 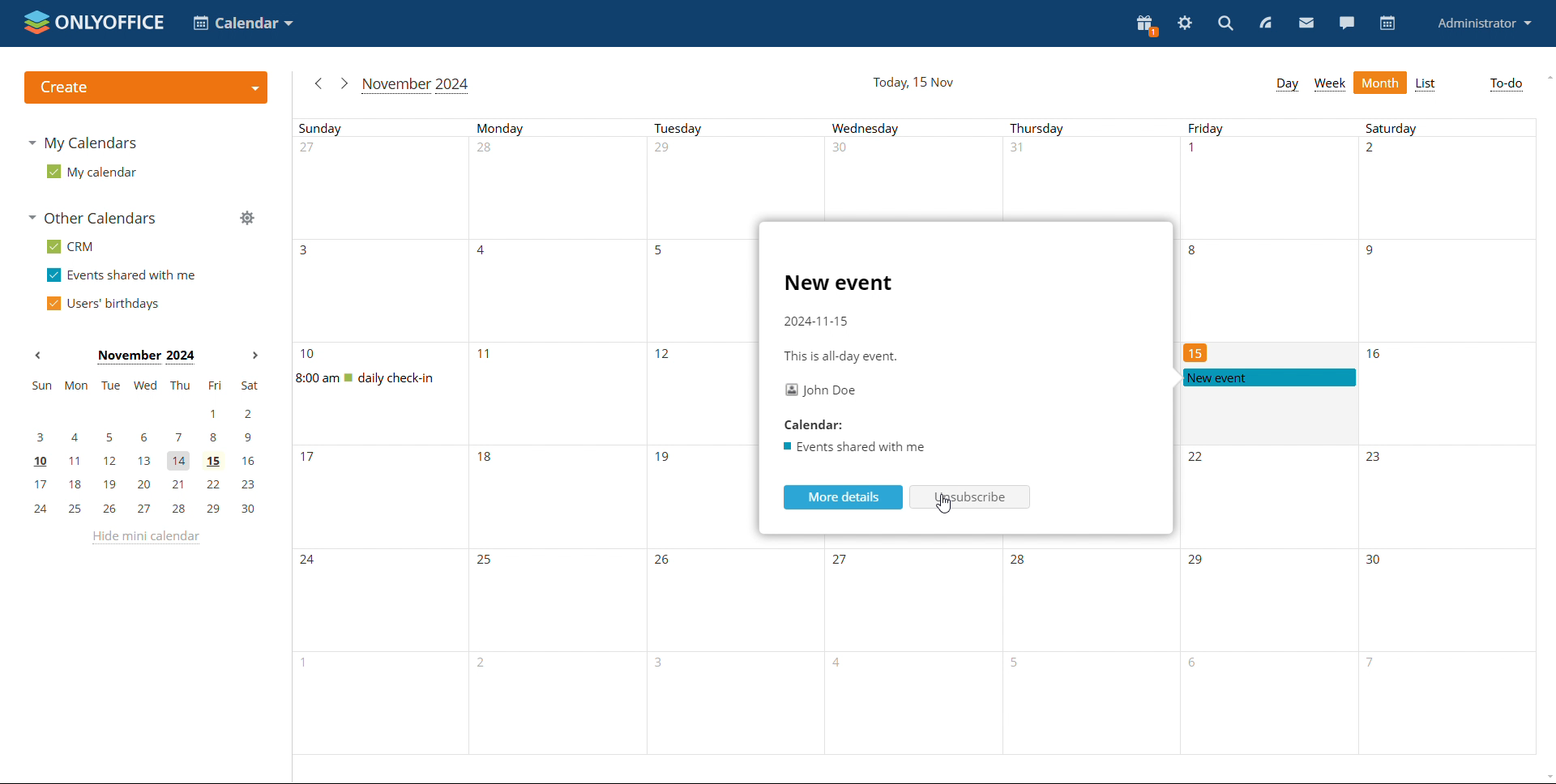 I want to click on , so click(x=488, y=561).